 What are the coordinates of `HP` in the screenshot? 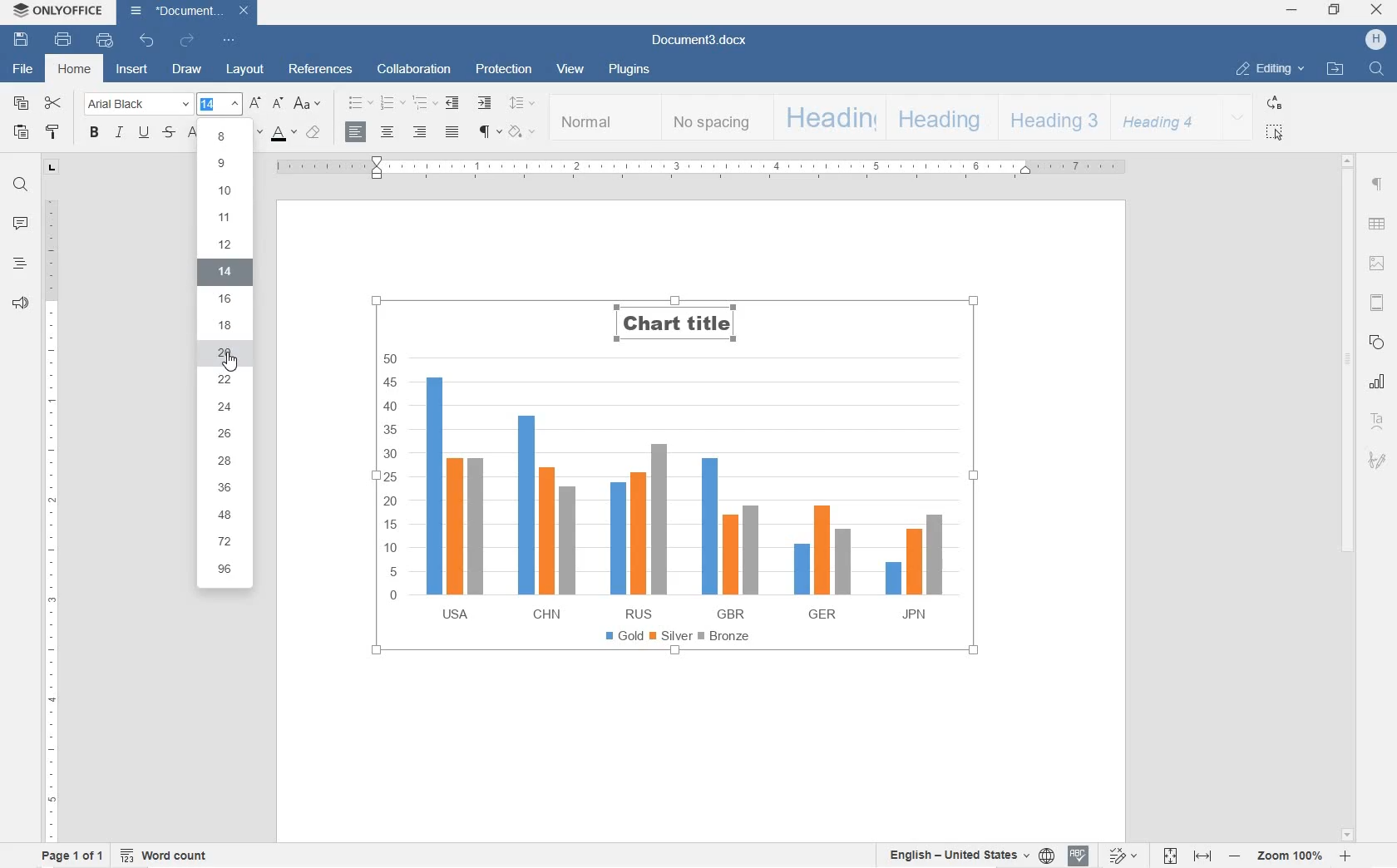 It's located at (1375, 39).